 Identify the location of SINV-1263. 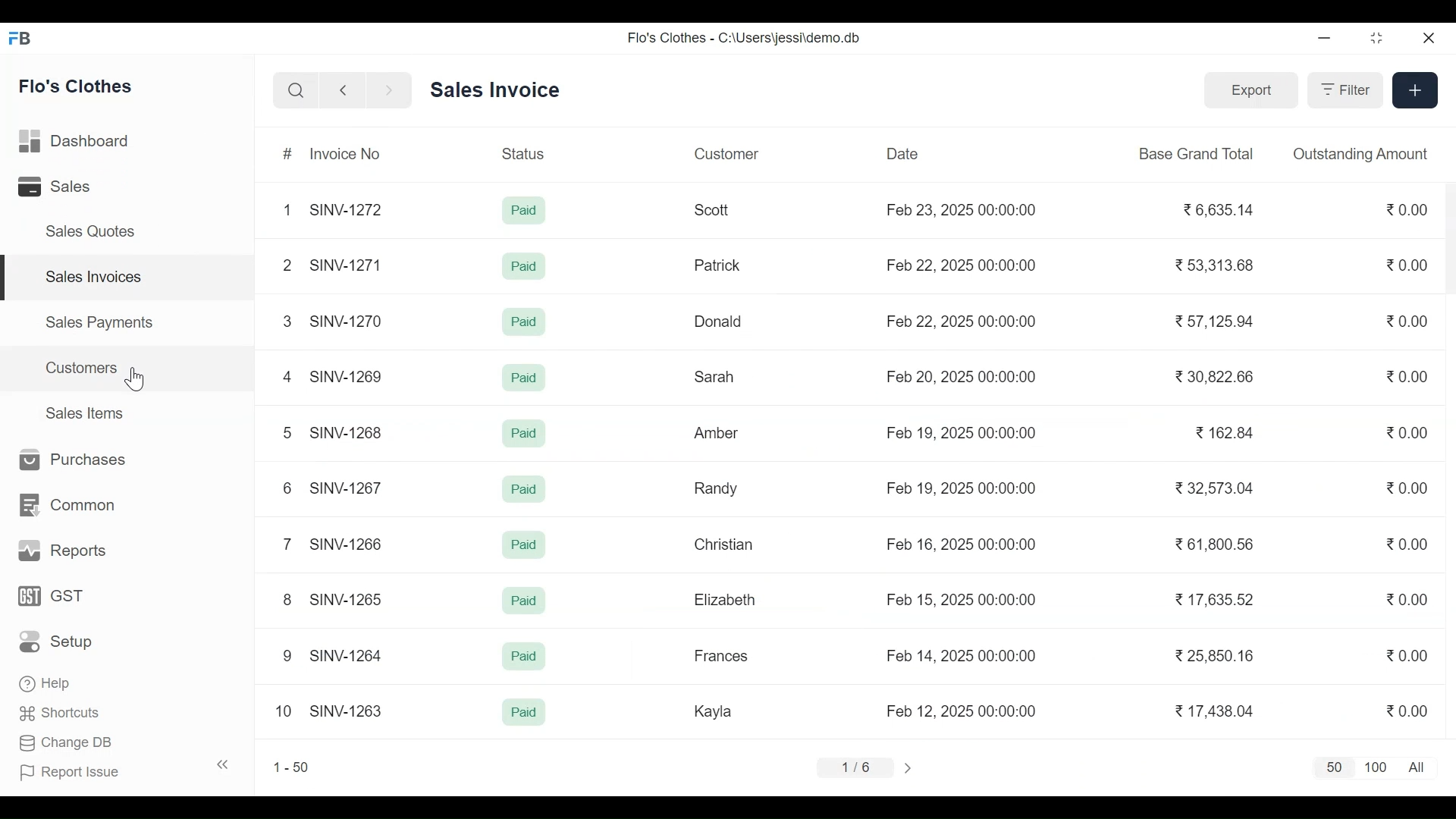
(350, 708).